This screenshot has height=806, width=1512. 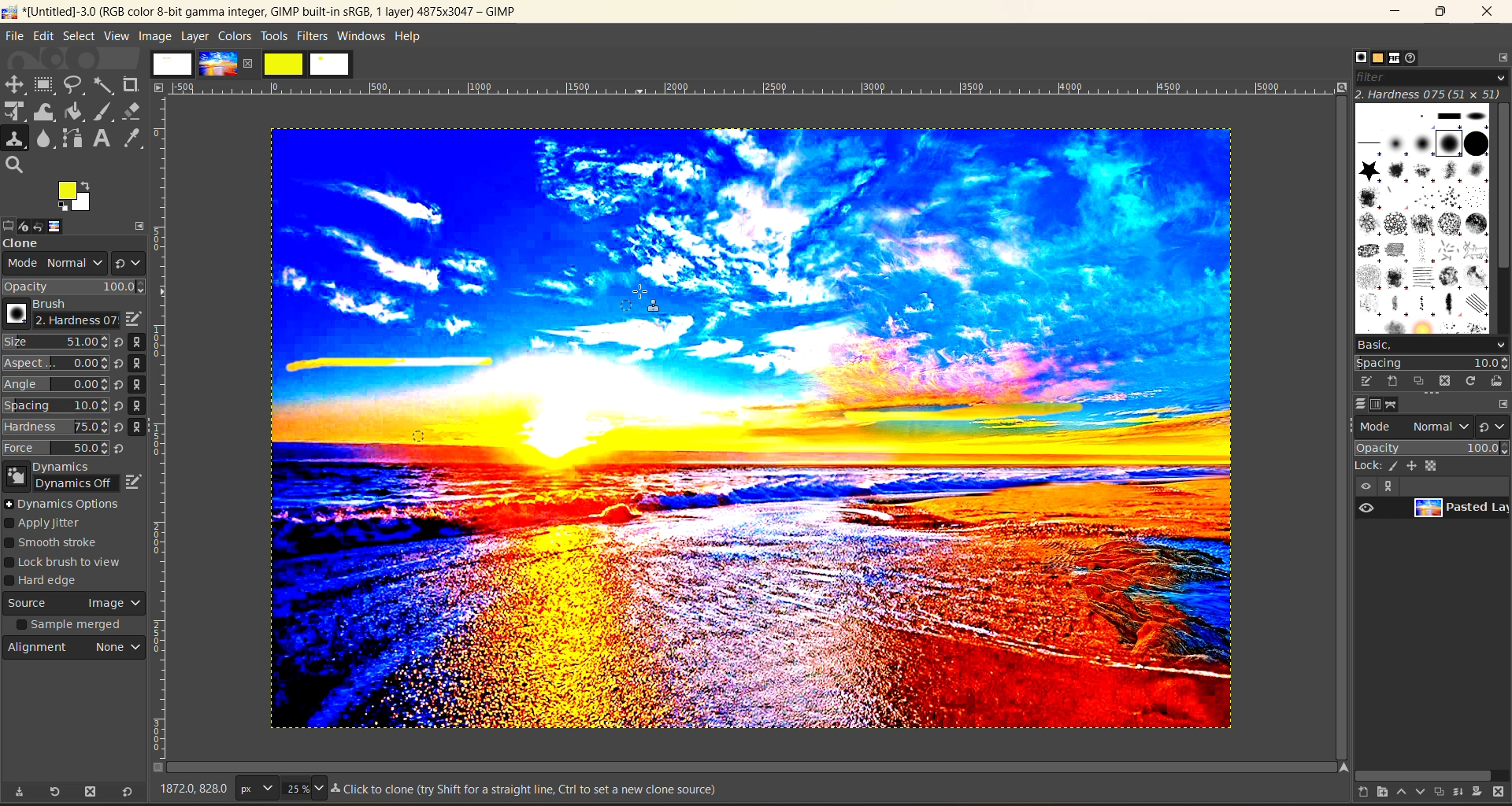 What do you see at coordinates (76, 198) in the screenshot?
I see `active foreground and background color` at bounding box center [76, 198].